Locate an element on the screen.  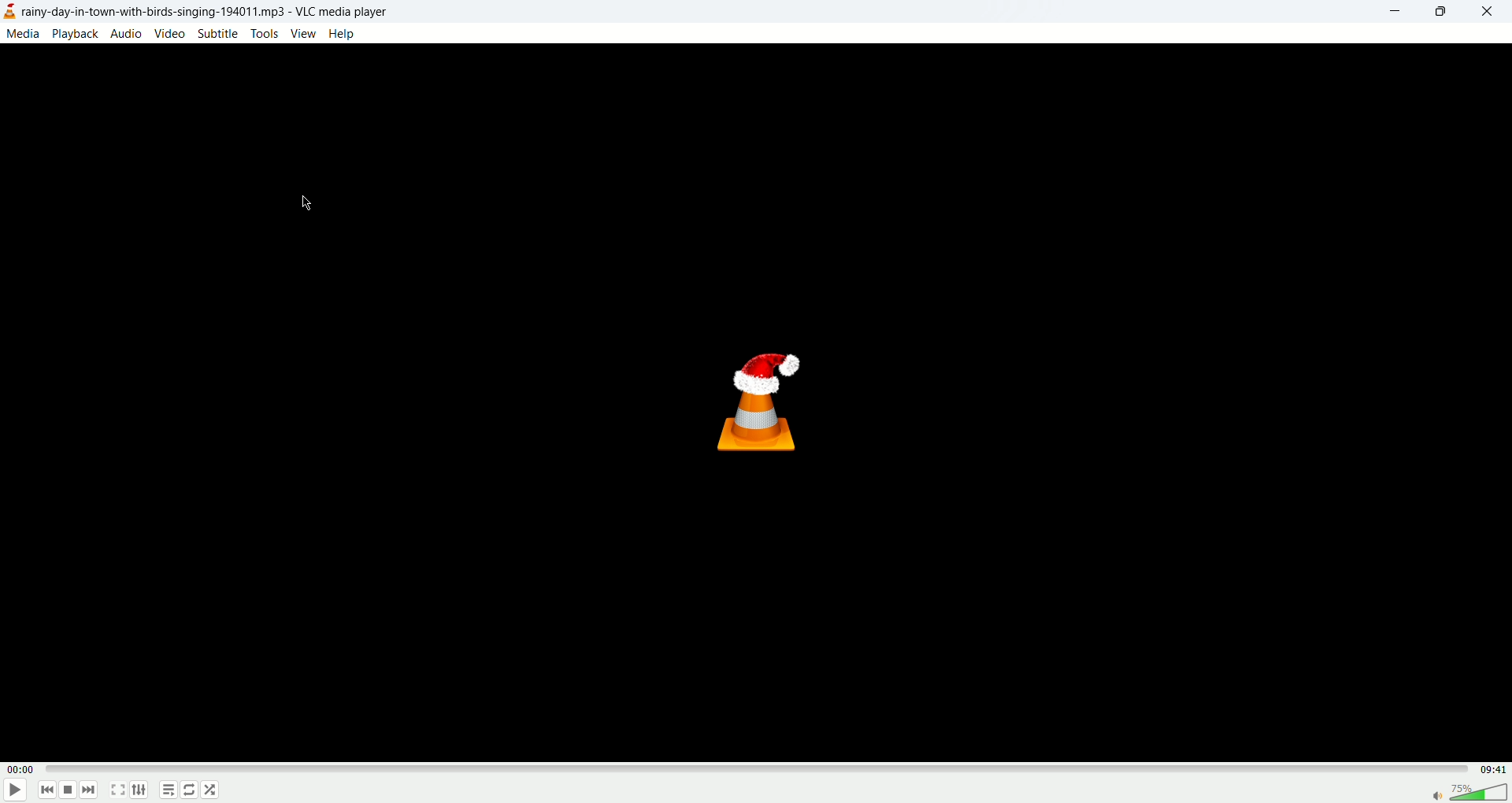
cursor is located at coordinates (304, 206).